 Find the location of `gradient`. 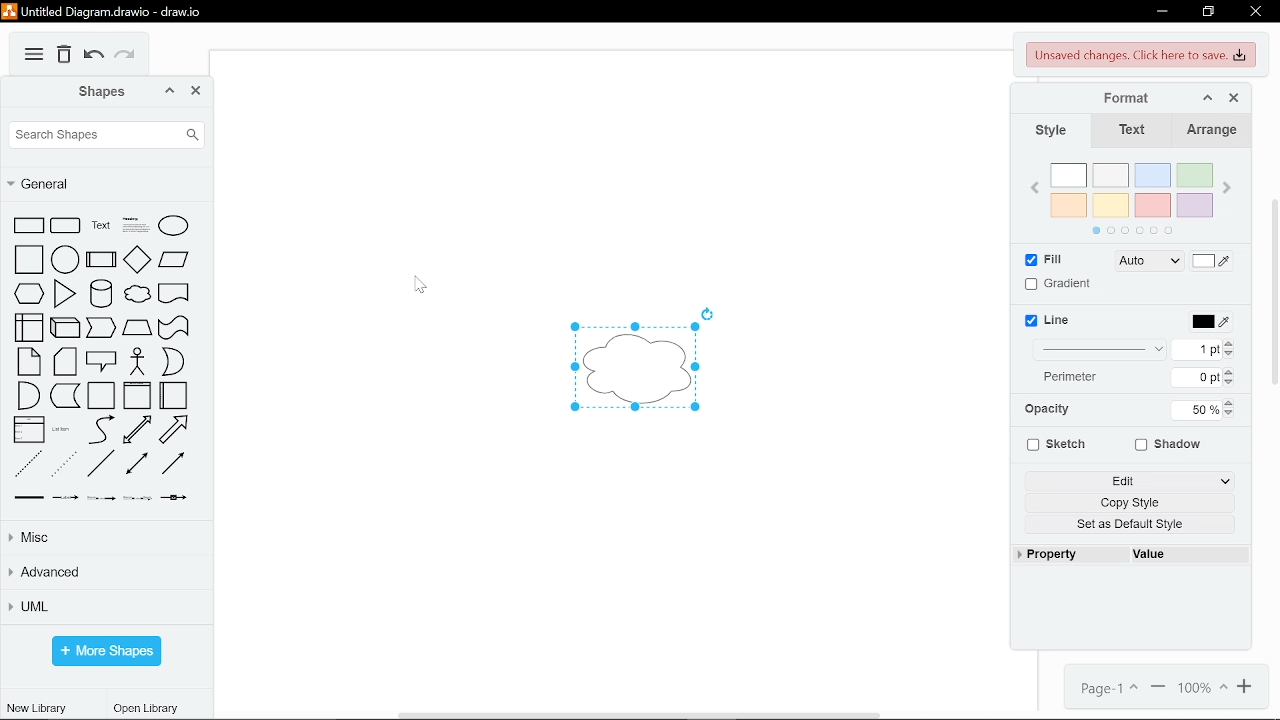

gradient is located at coordinates (1058, 285).